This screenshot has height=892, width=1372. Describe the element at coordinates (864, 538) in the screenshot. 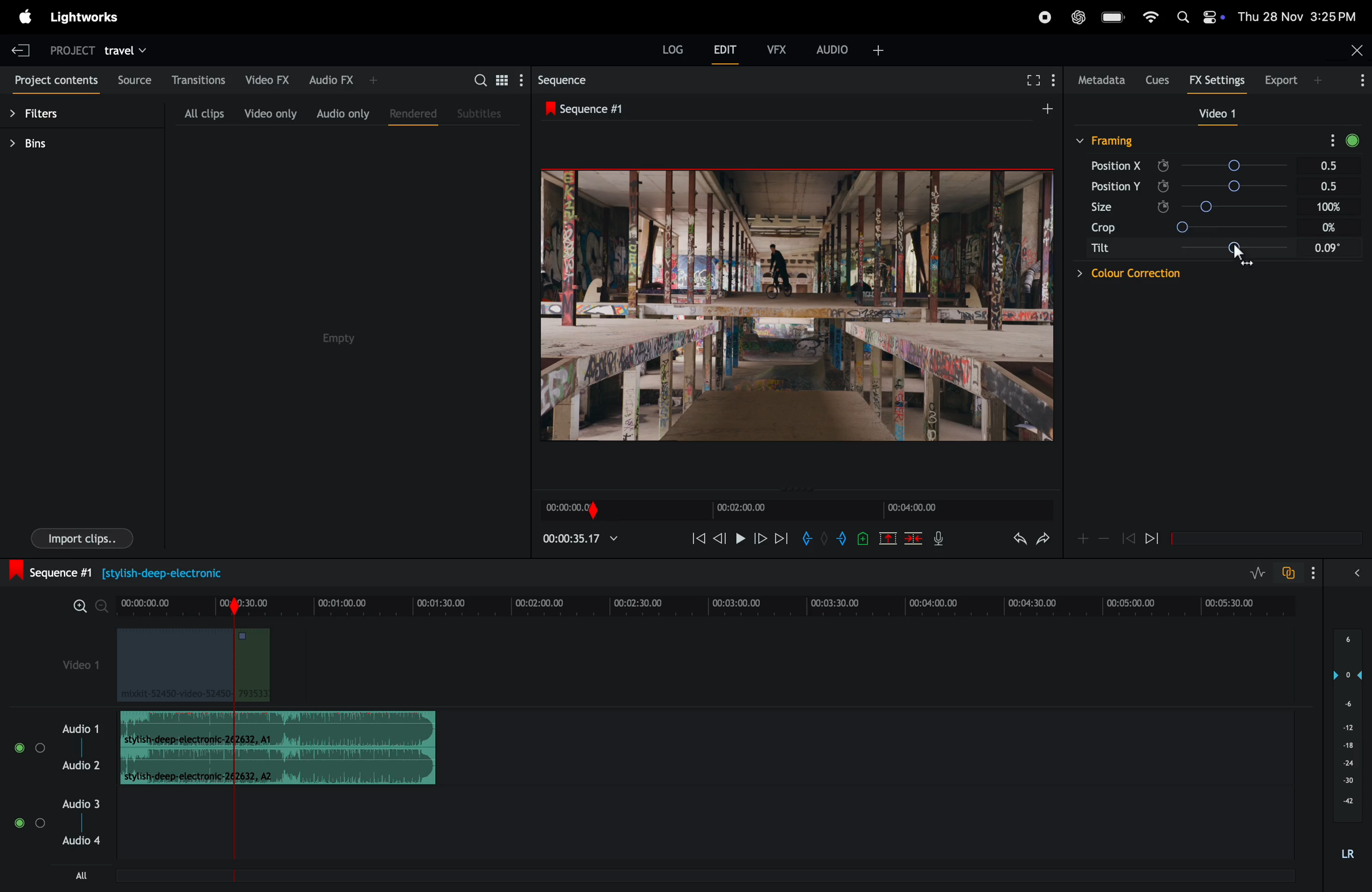

I see `add cue to current positon` at that location.